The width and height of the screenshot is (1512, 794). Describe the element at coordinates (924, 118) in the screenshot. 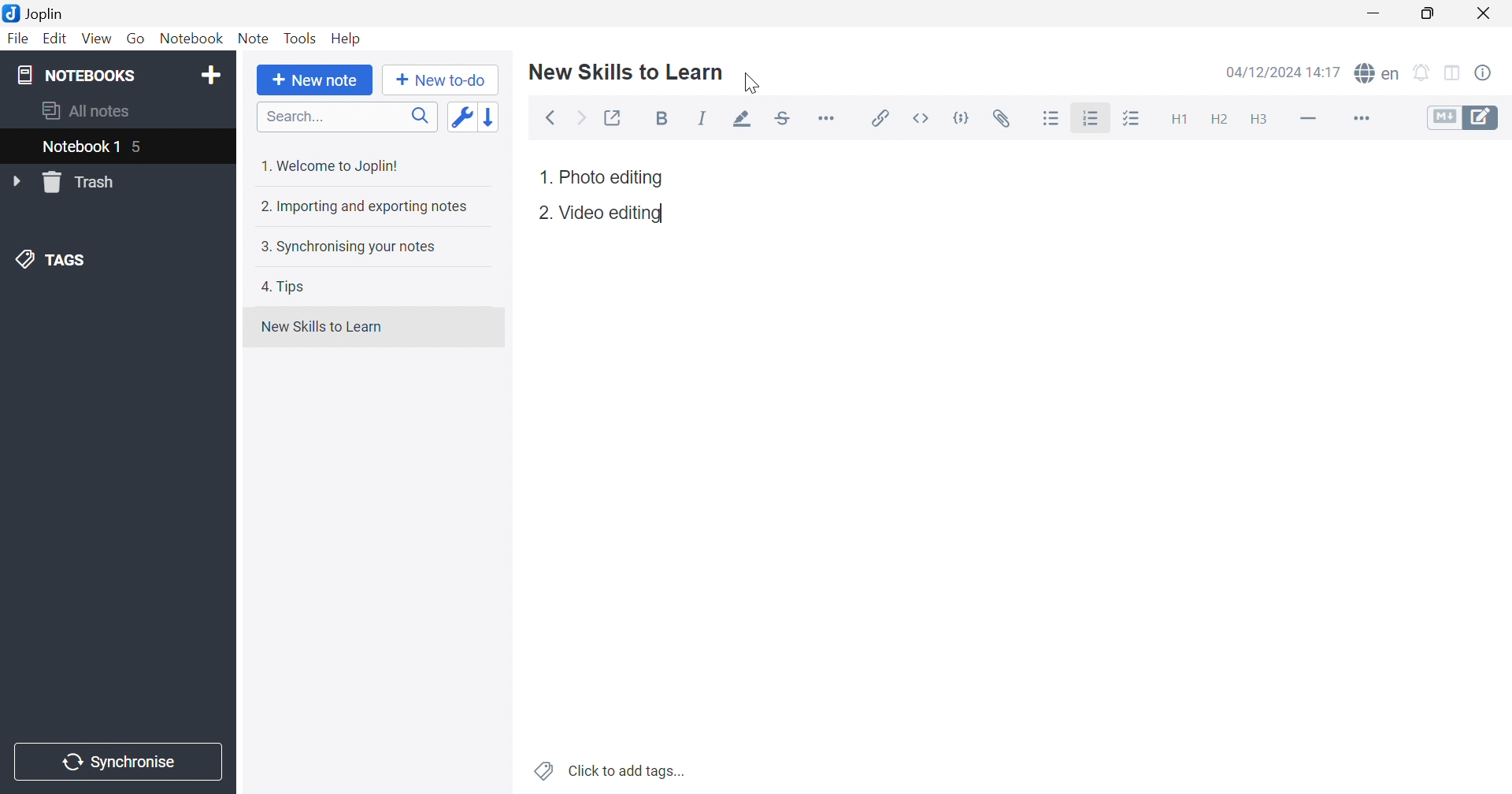

I see `Inline code` at that location.